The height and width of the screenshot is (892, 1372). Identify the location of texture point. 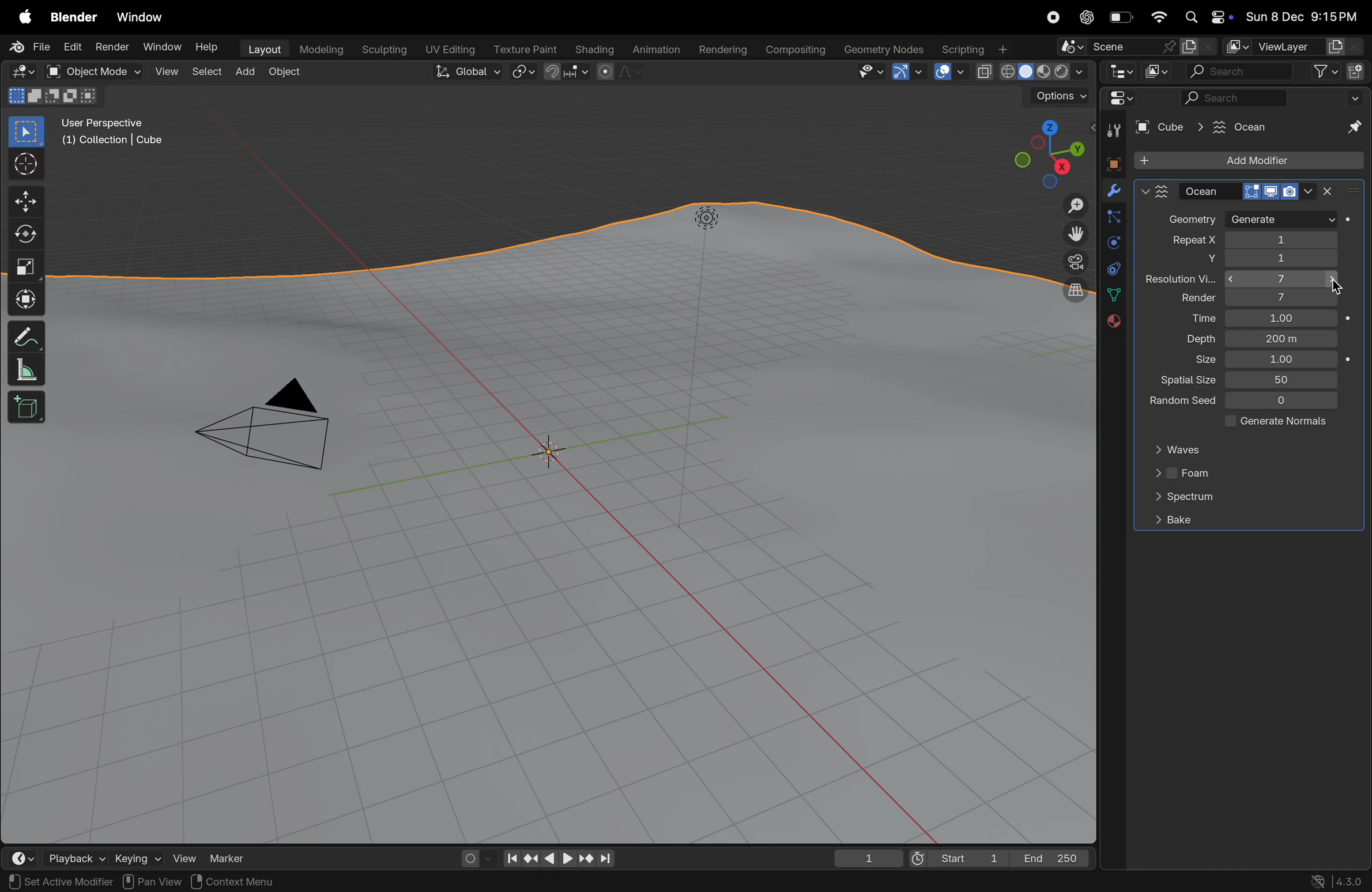
(527, 49).